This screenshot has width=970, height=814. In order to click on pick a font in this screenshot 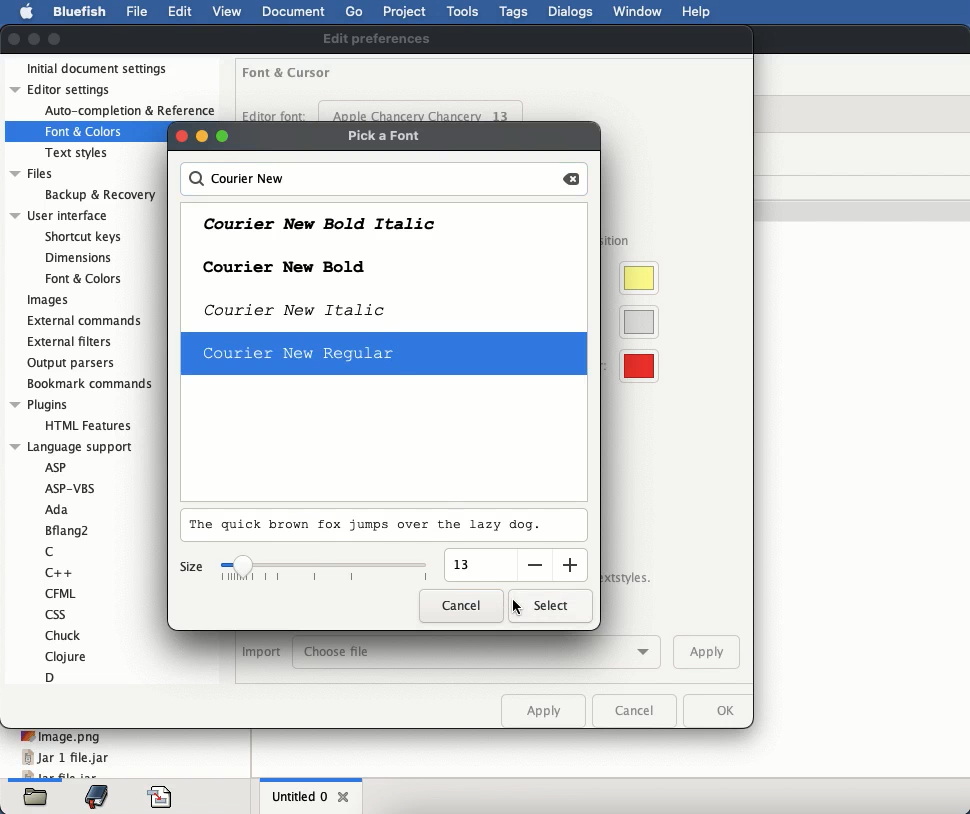, I will do `click(386, 139)`.